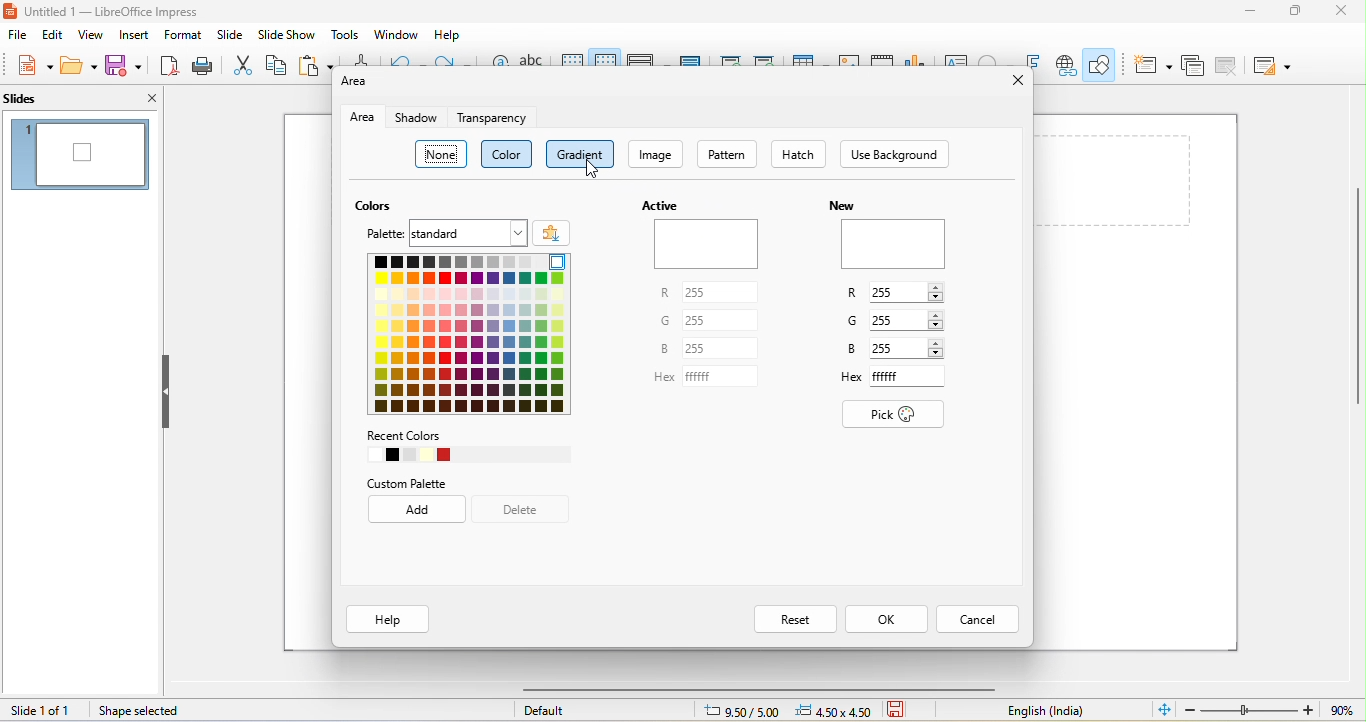 The height and width of the screenshot is (722, 1366). What do you see at coordinates (664, 294) in the screenshot?
I see `R` at bounding box center [664, 294].